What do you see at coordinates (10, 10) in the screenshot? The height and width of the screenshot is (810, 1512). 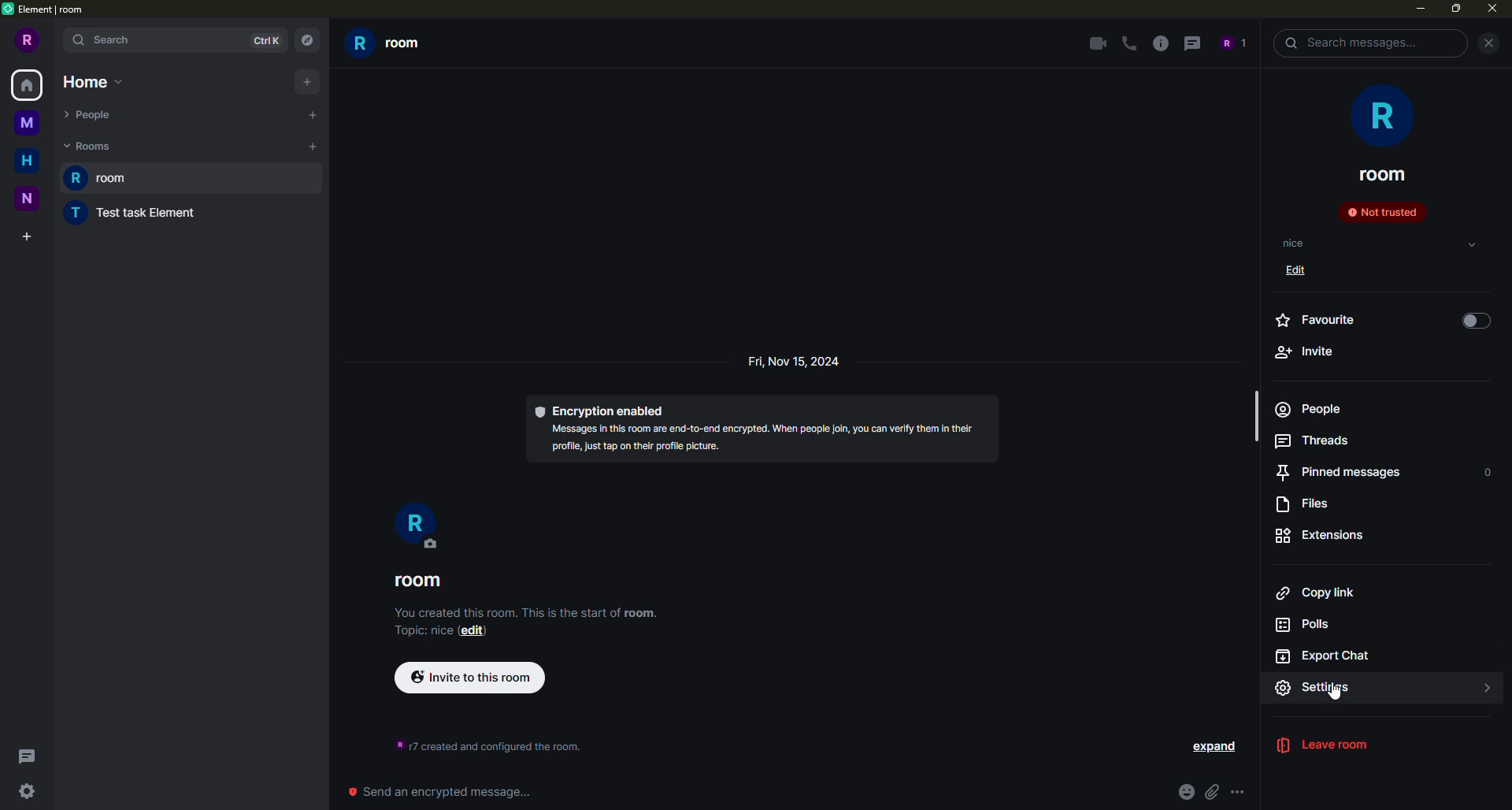 I see `logo` at bounding box center [10, 10].